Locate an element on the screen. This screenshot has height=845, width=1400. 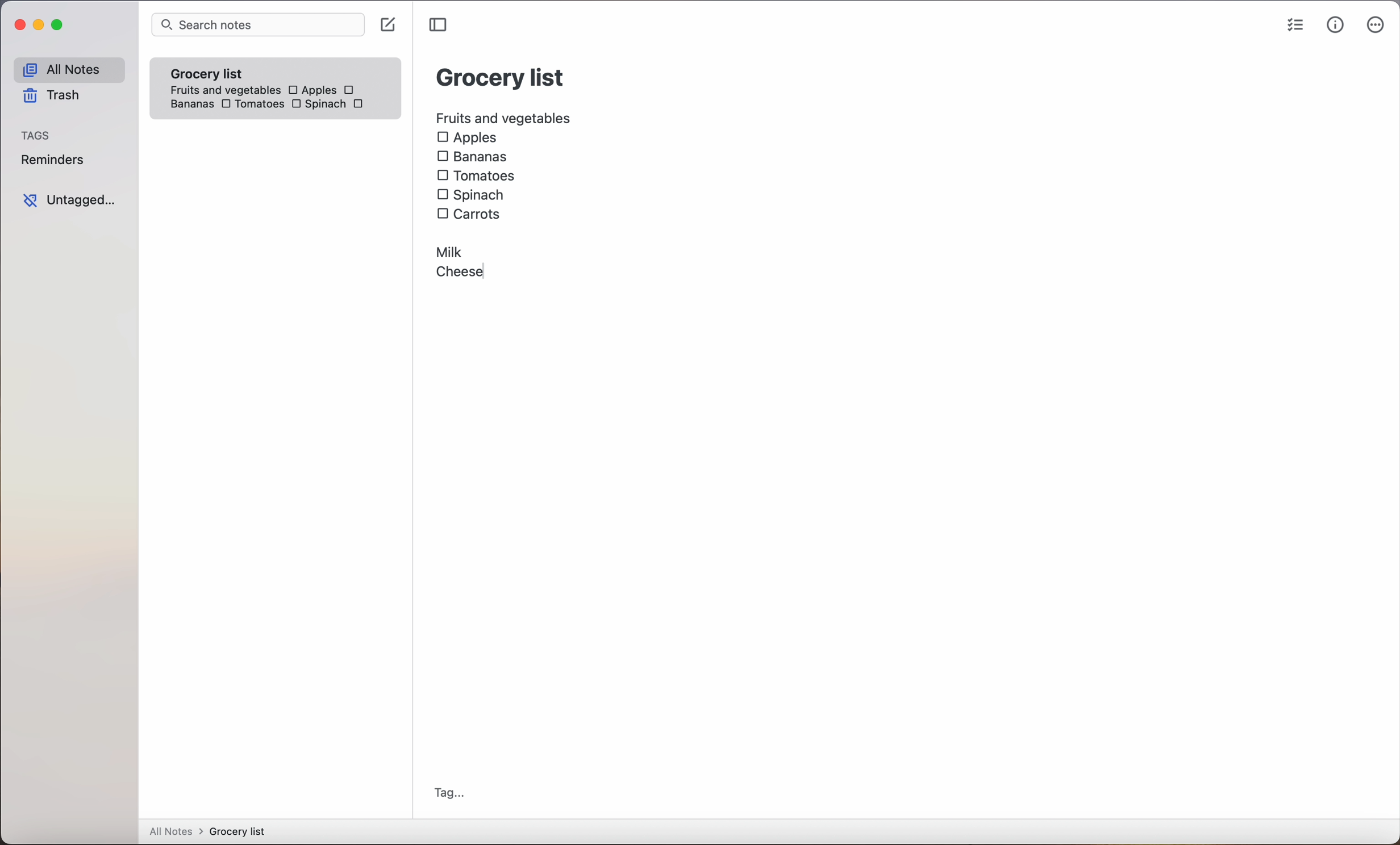
checklist is located at coordinates (1293, 27).